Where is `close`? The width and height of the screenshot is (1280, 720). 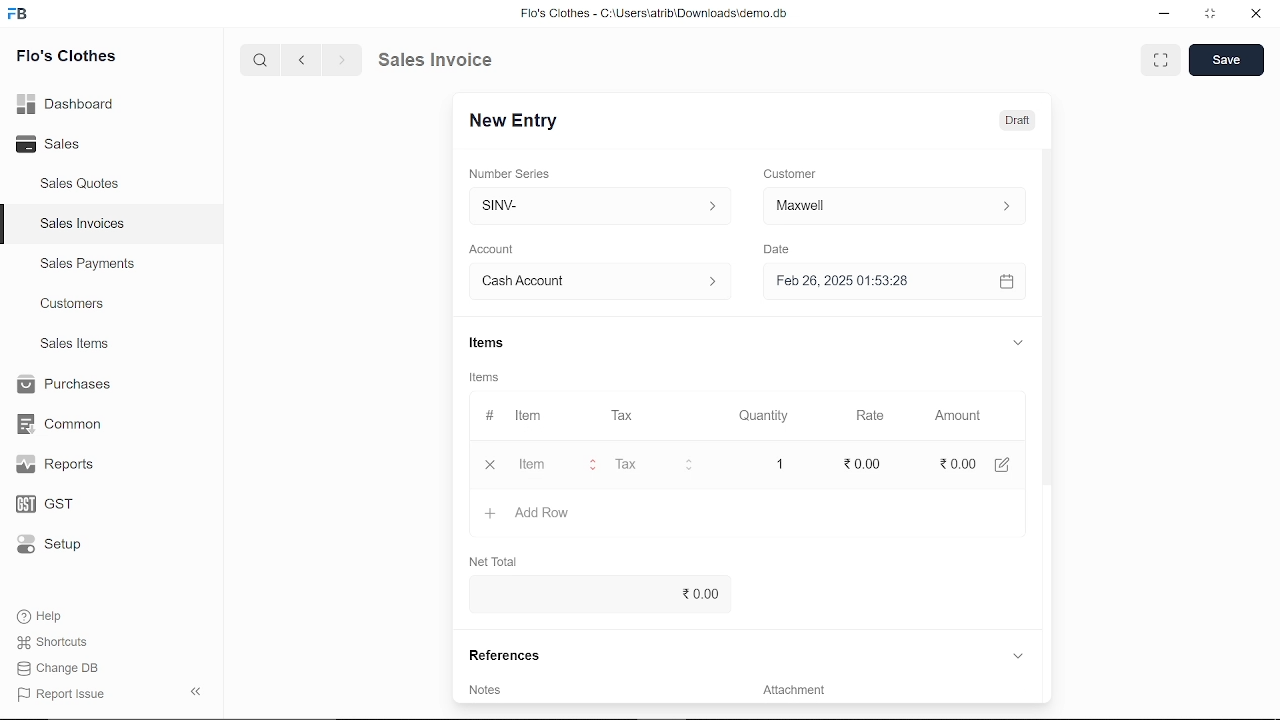
close is located at coordinates (1254, 15).